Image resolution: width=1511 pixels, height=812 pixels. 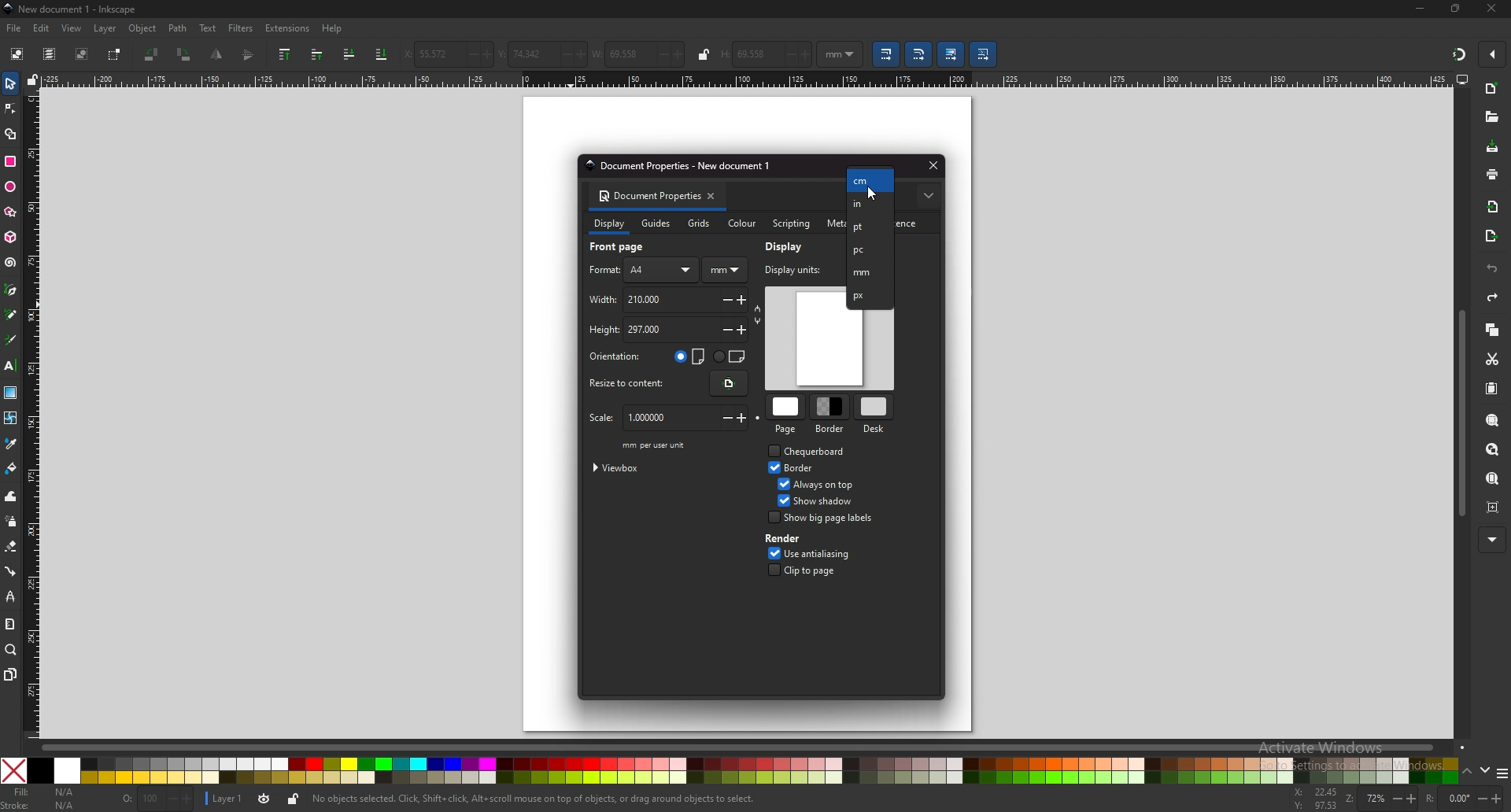 I want to click on calligraphy, so click(x=9, y=339).